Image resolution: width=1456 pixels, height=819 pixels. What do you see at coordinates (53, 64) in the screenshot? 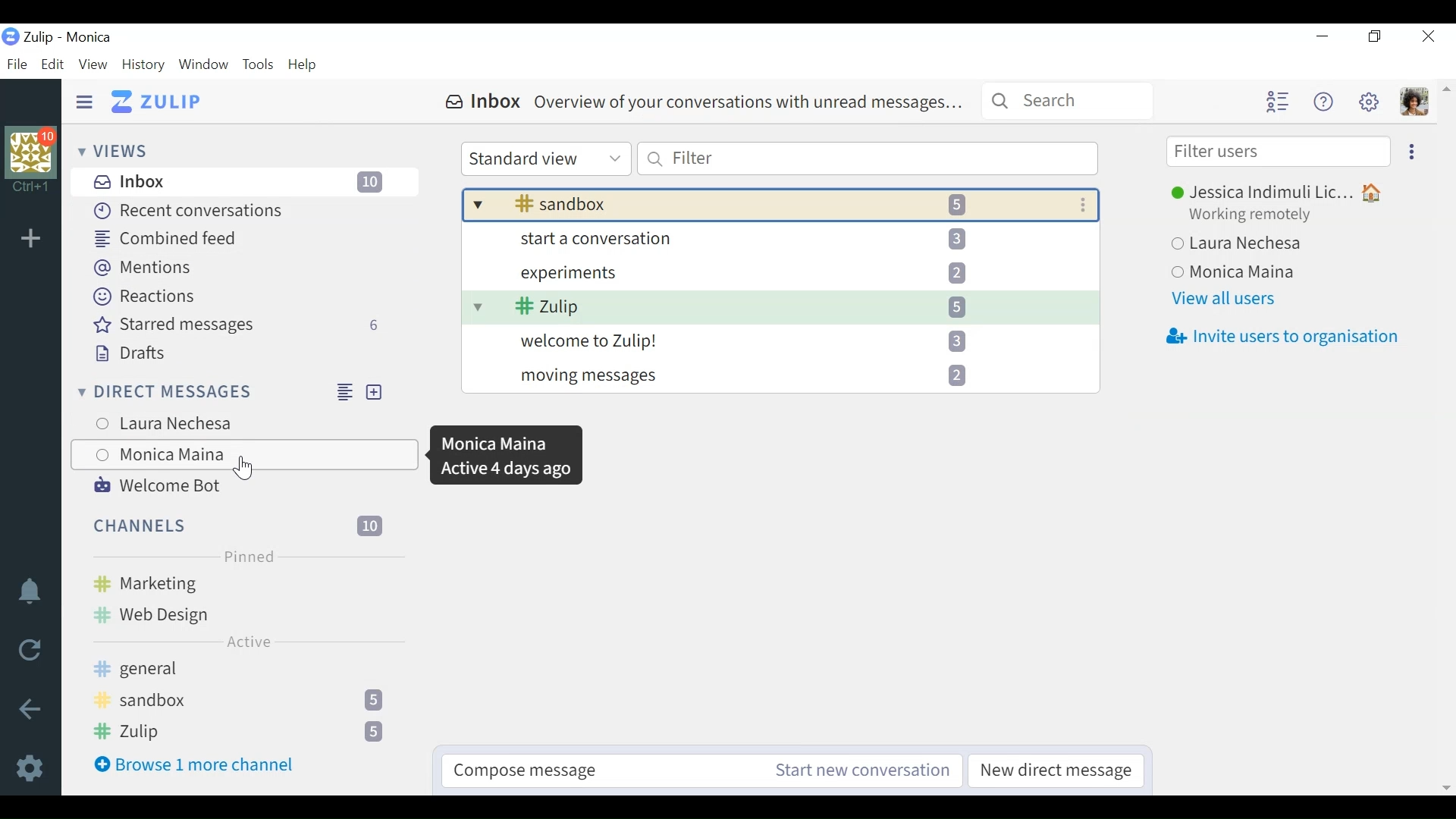
I see `Edit` at bounding box center [53, 64].